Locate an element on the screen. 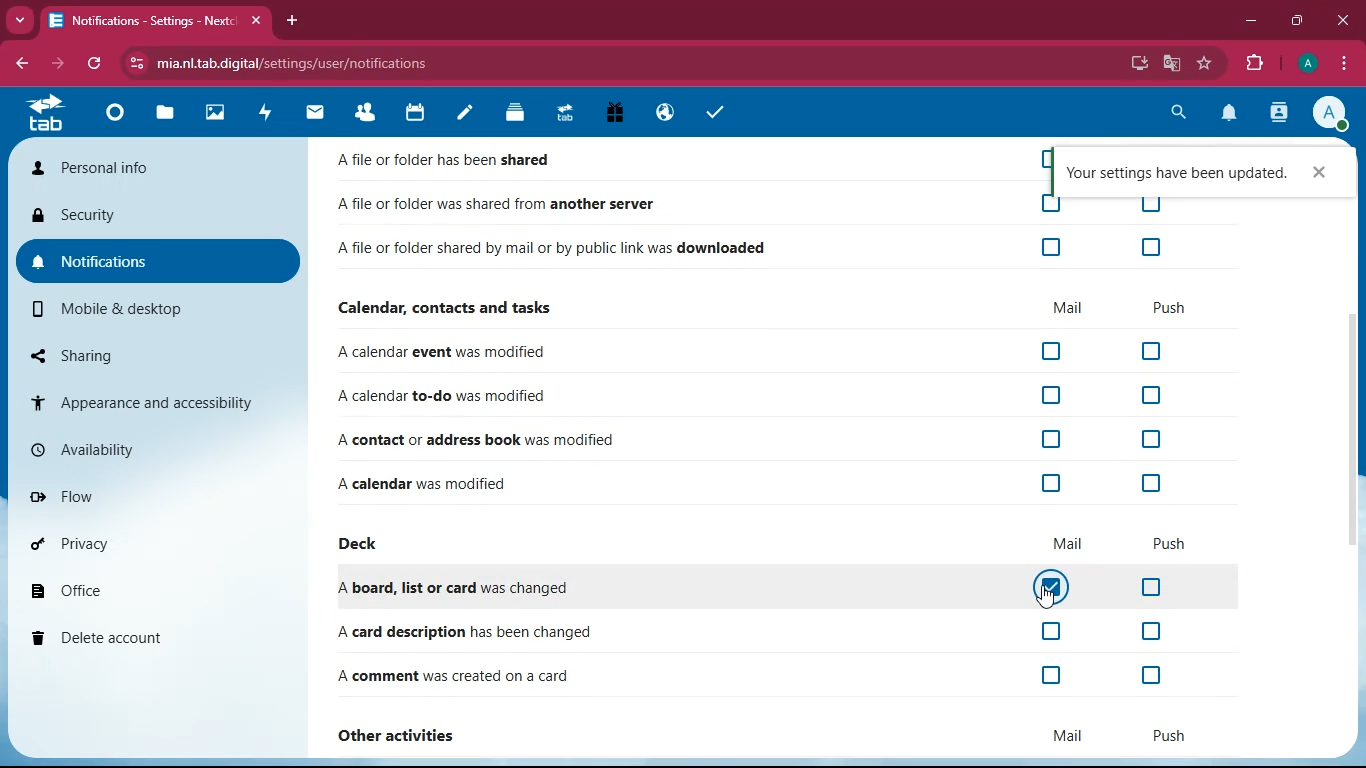 The image size is (1366, 768). refresh is located at coordinates (94, 64).